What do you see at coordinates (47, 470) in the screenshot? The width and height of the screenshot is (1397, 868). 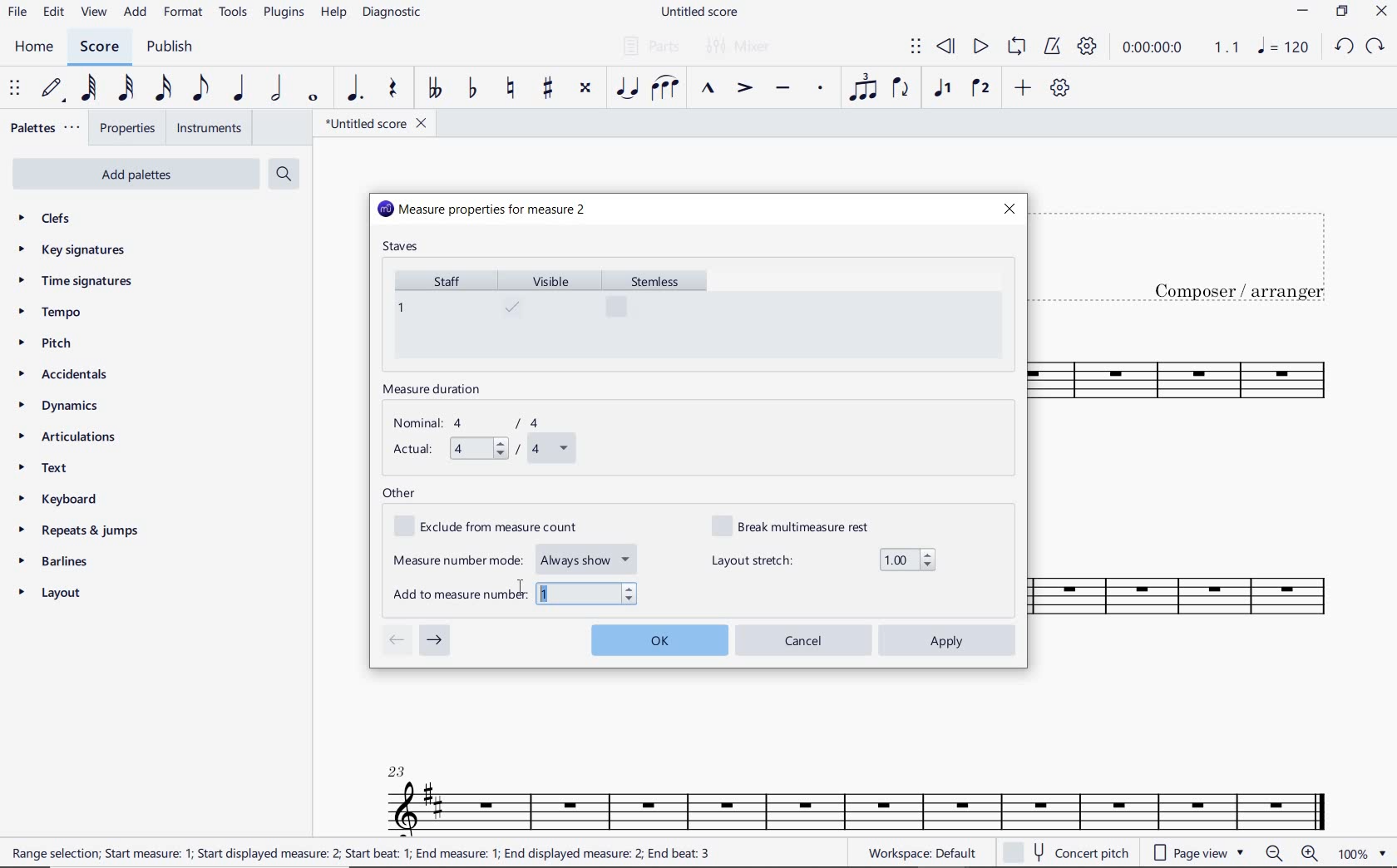 I see `TEXT` at bounding box center [47, 470].